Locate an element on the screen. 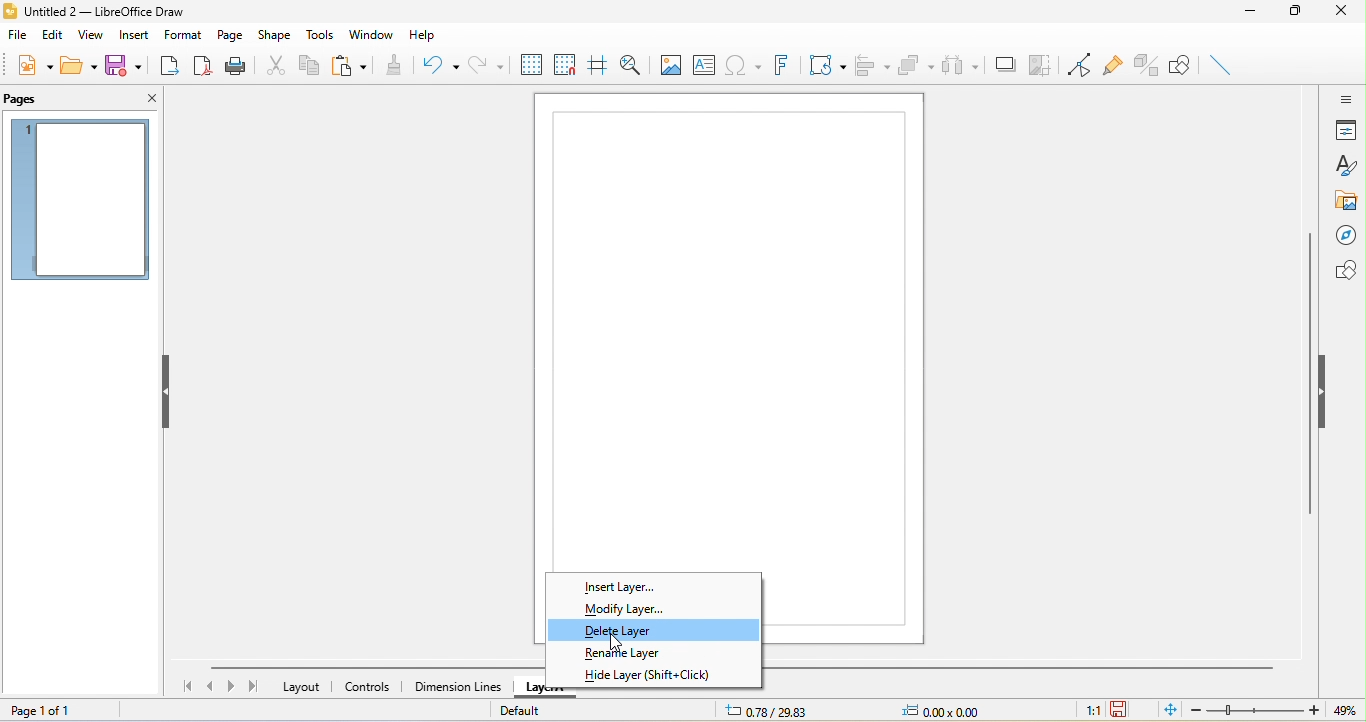 The image size is (1366, 722). pages is located at coordinates (29, 100).